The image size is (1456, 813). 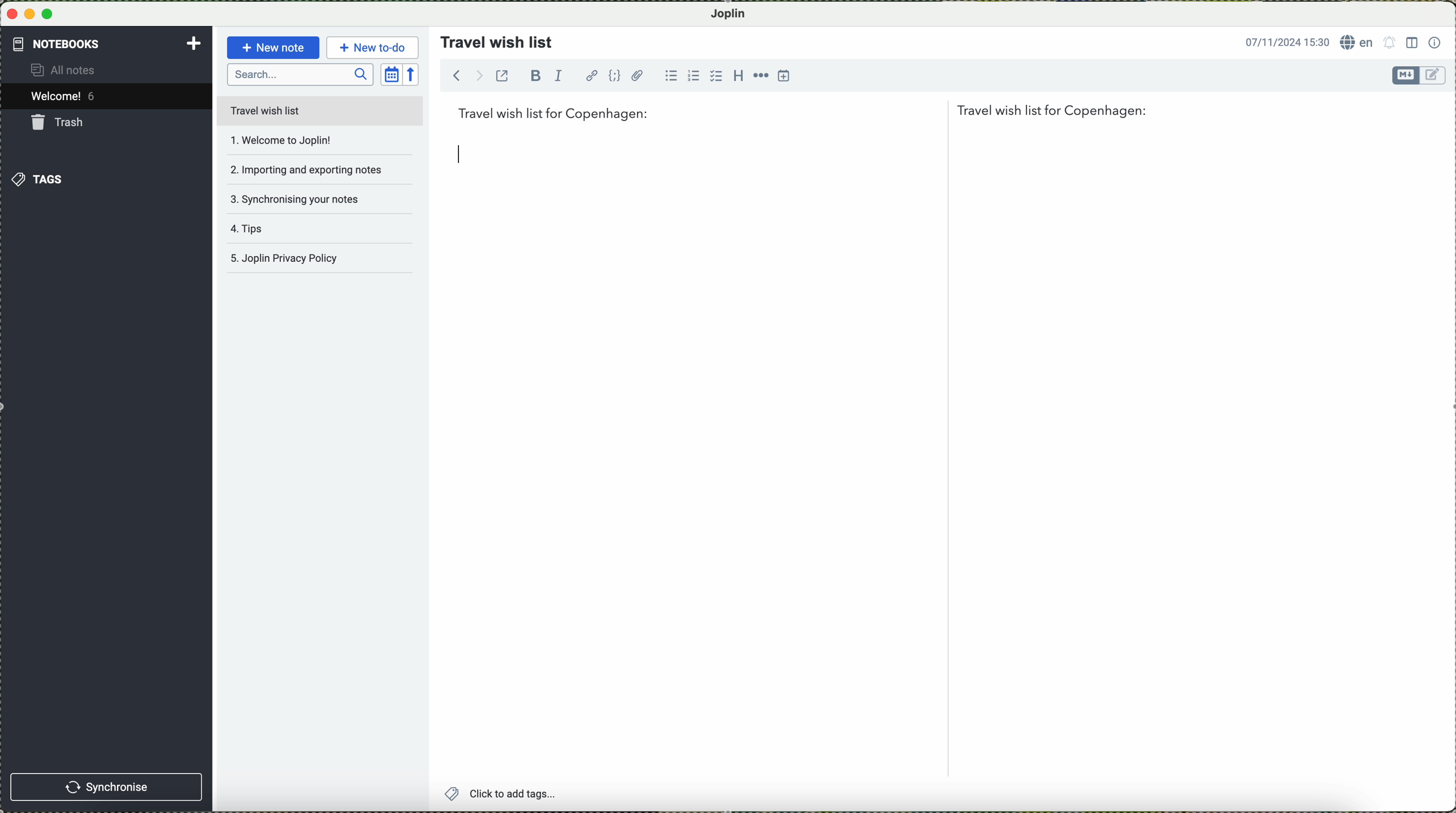 What do you see at coordinates (60, 122) in the screenshot?
I see `trash` at bounding box center [60, 122].